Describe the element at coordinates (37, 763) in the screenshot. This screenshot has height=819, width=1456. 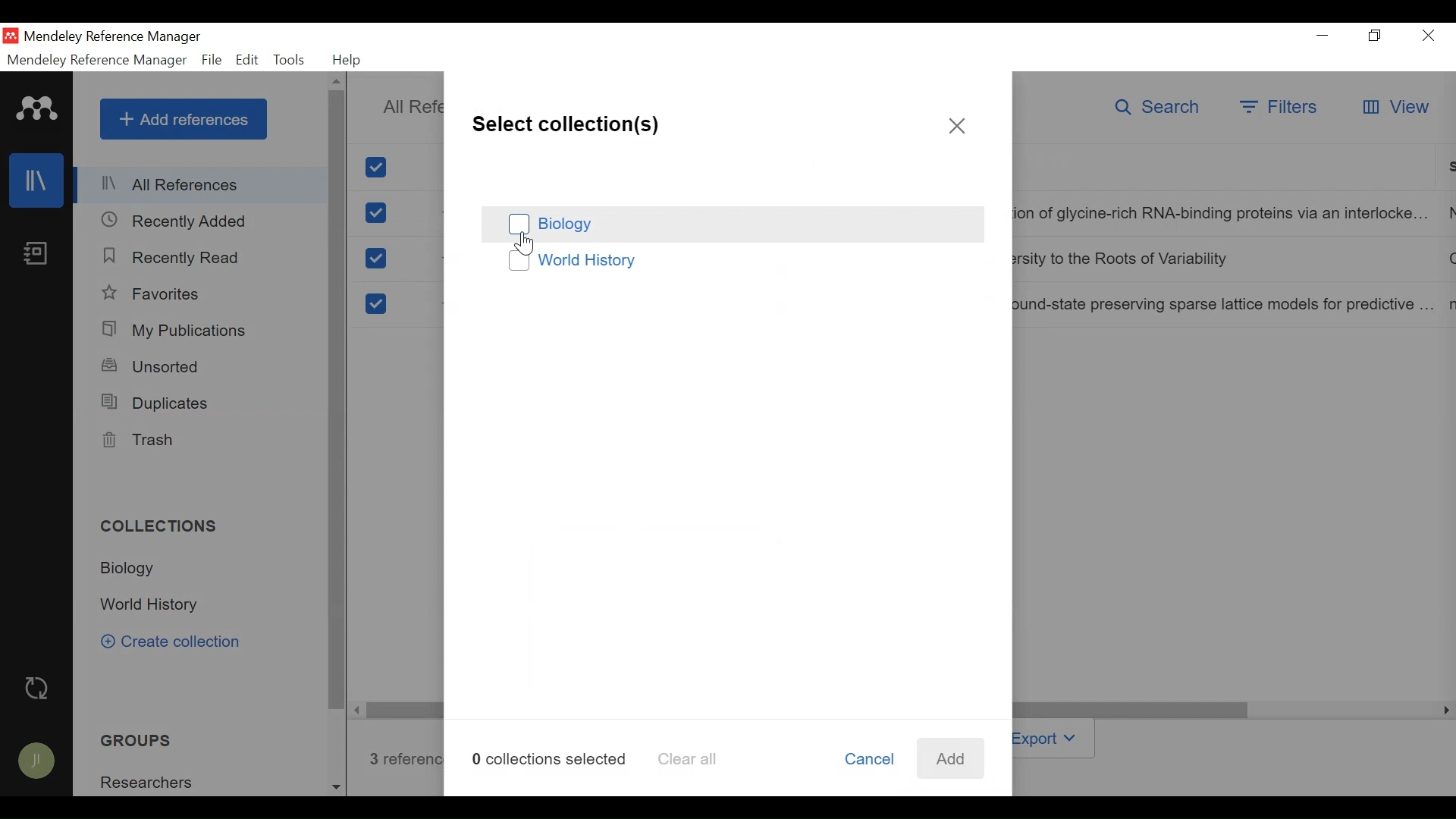
I see `Avatar` at that location.